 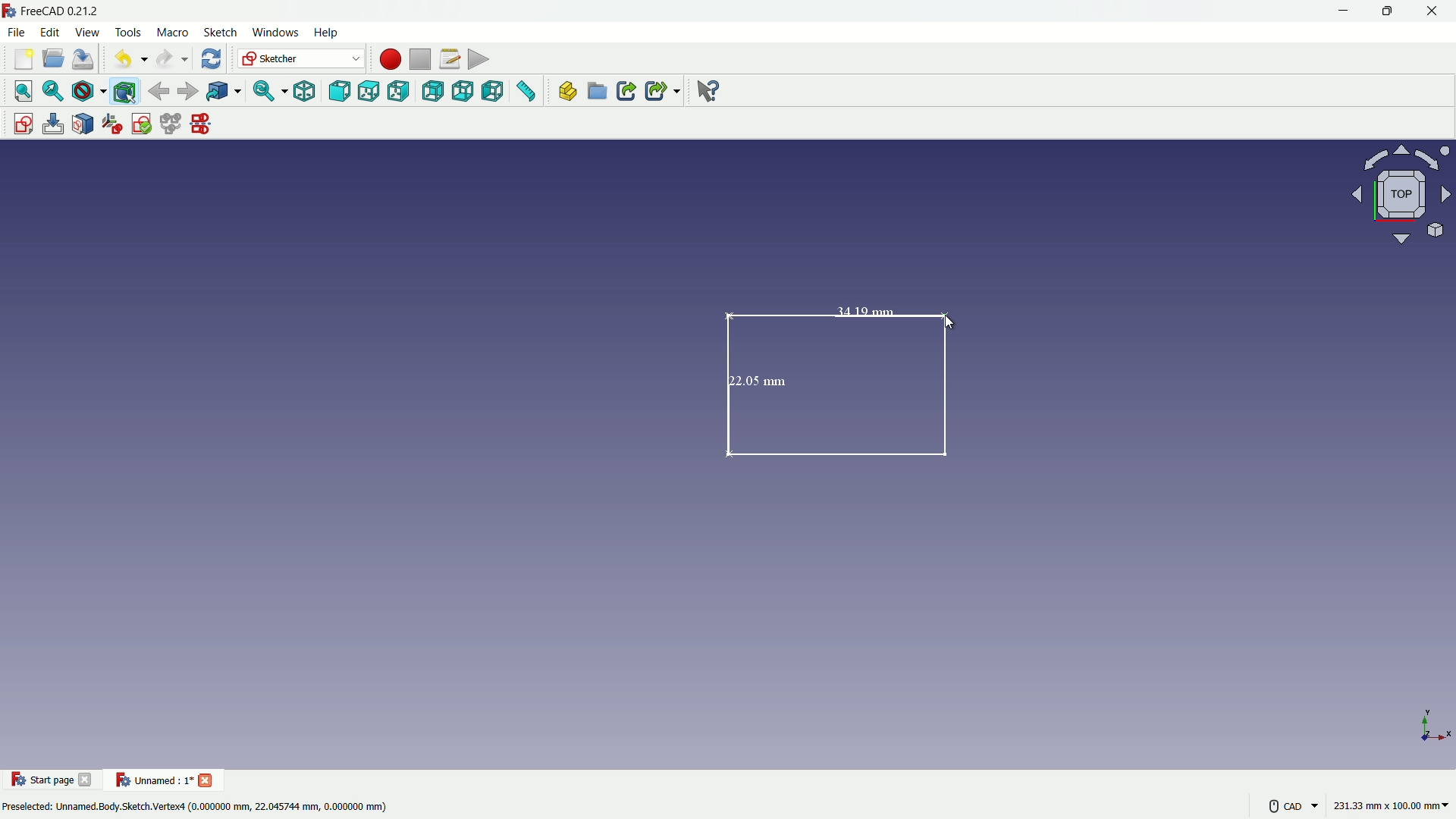 What do you see at coordinates (1388, 808) in the screenshot?
I see `measuring unit` at bounding box center [1388, 808].